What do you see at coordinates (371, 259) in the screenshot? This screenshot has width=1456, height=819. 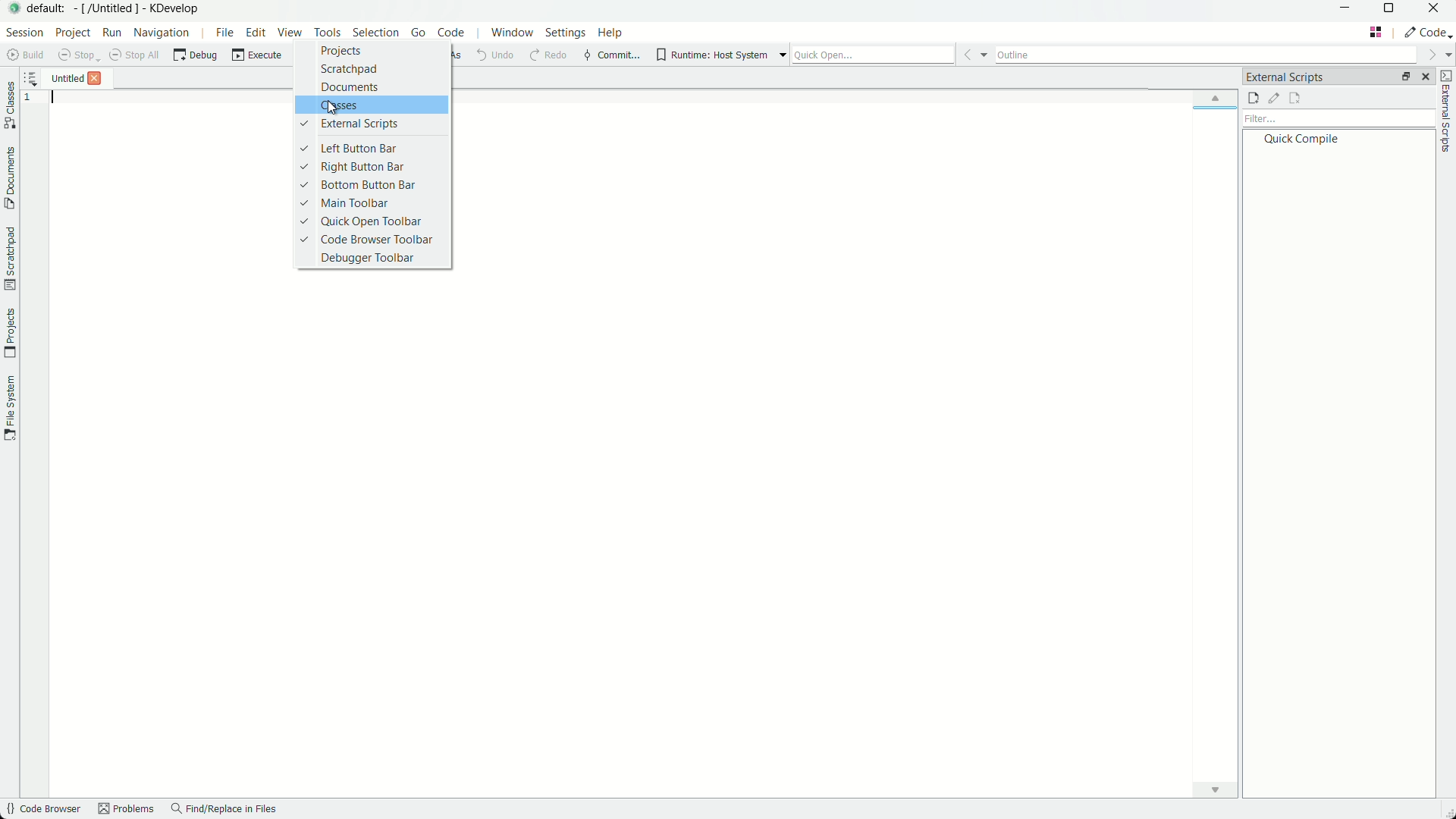 I see `debugger toolbar` at bounding box center [371, 259].